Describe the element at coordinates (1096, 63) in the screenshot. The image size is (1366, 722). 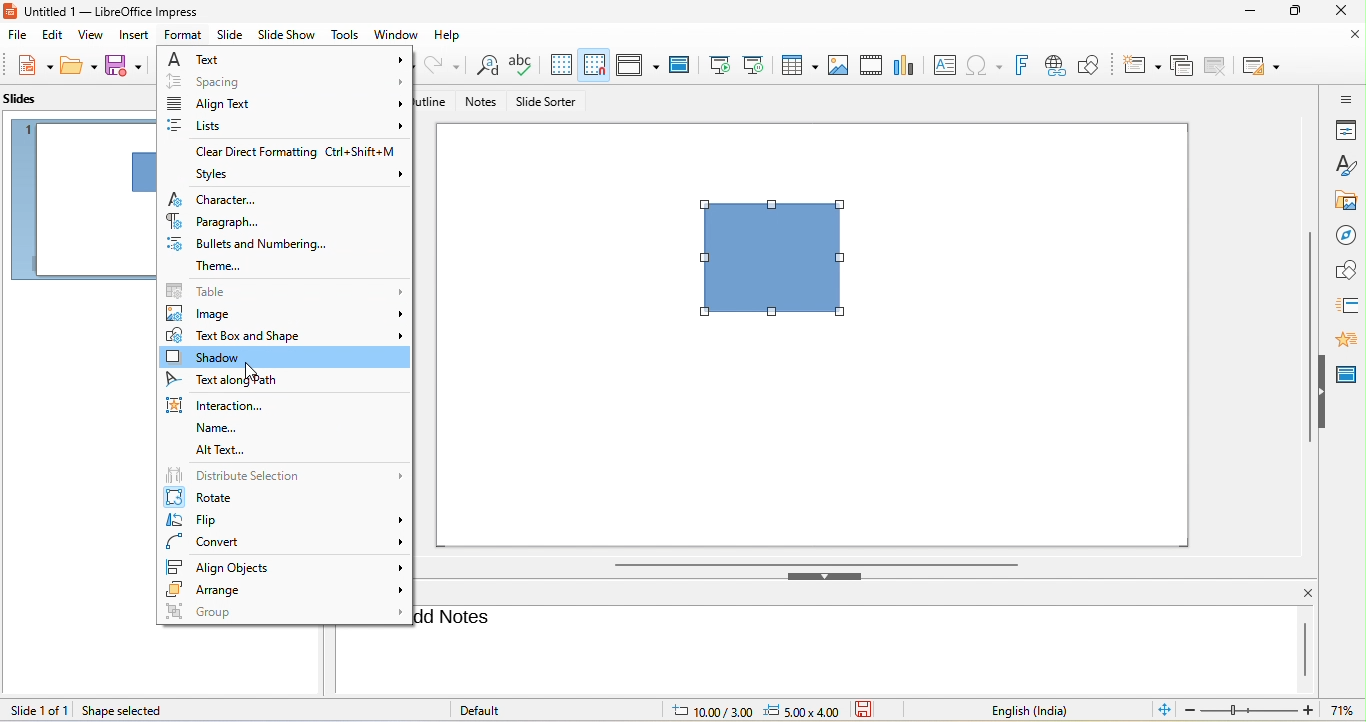
I see `show draw function` at that location.